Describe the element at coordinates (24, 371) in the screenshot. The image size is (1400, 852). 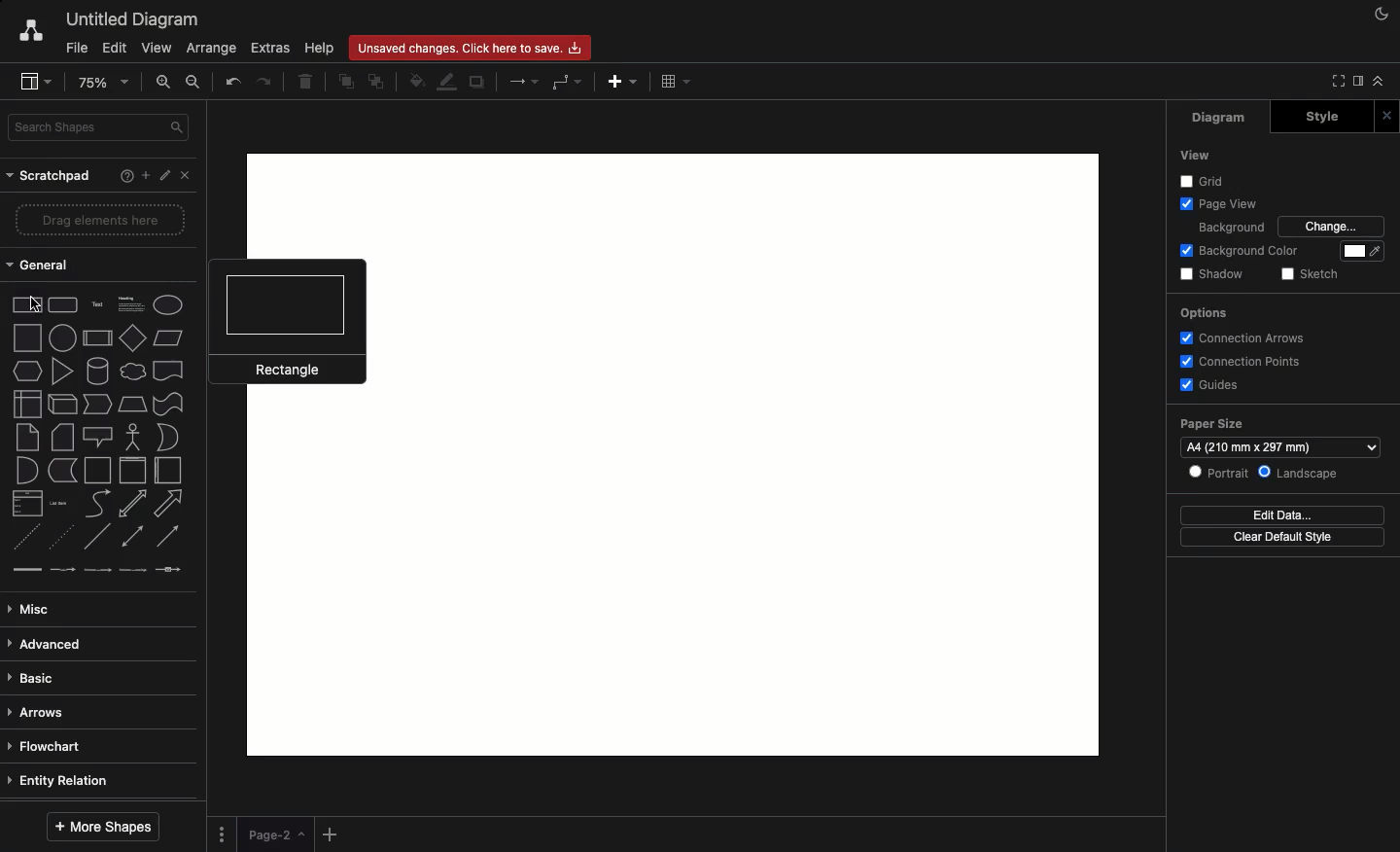
I see `hexagon` at that location.